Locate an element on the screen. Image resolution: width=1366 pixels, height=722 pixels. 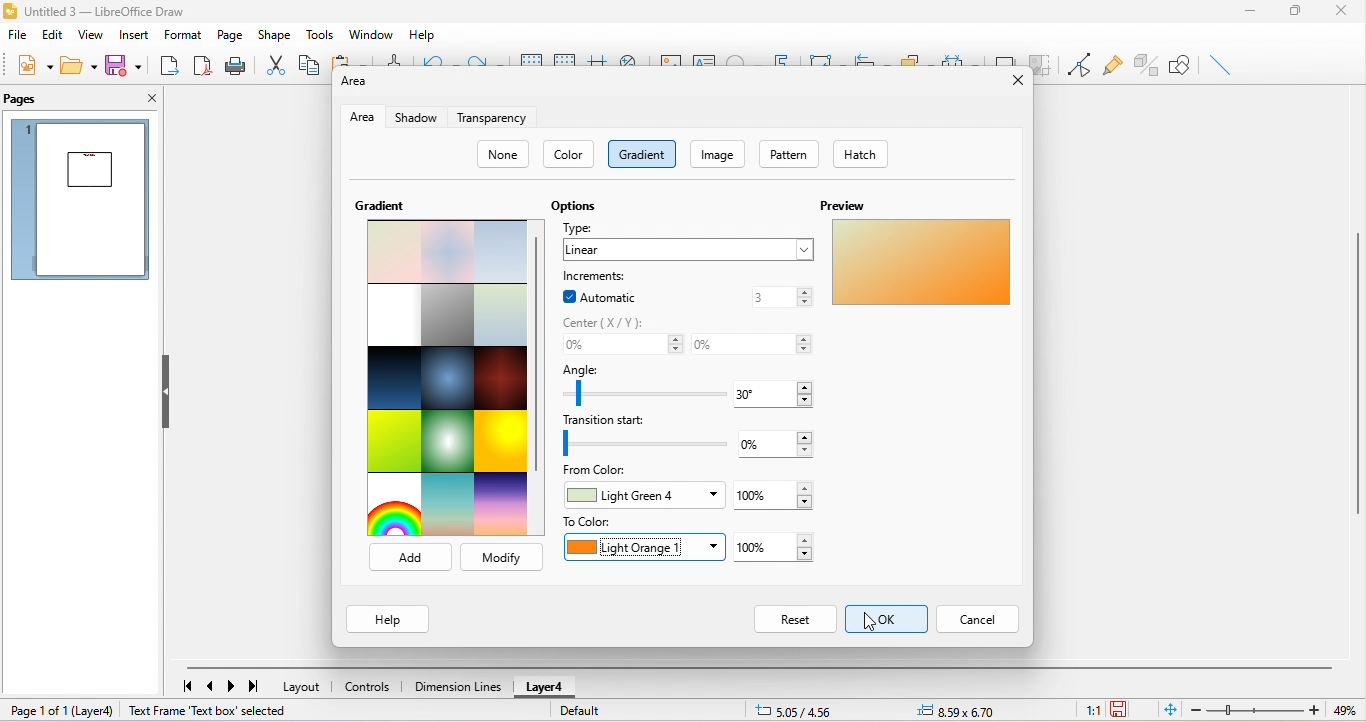
close is located at coordinates (1345, 11).